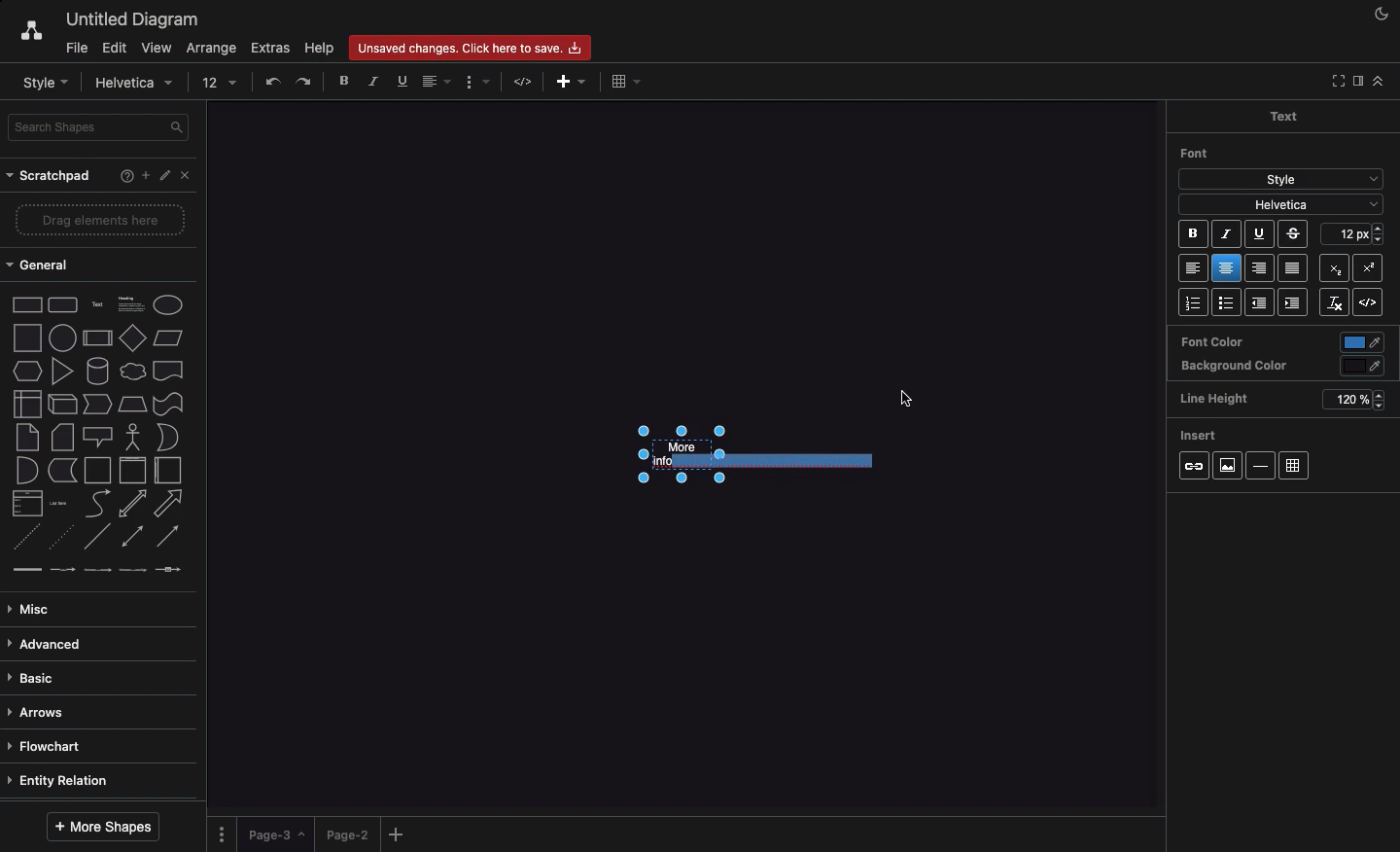 The height and width of the screenshot is (852, 1400). Describe the element at coordinates (62, 571) in the screenshot. I see `connector with label` at that location.